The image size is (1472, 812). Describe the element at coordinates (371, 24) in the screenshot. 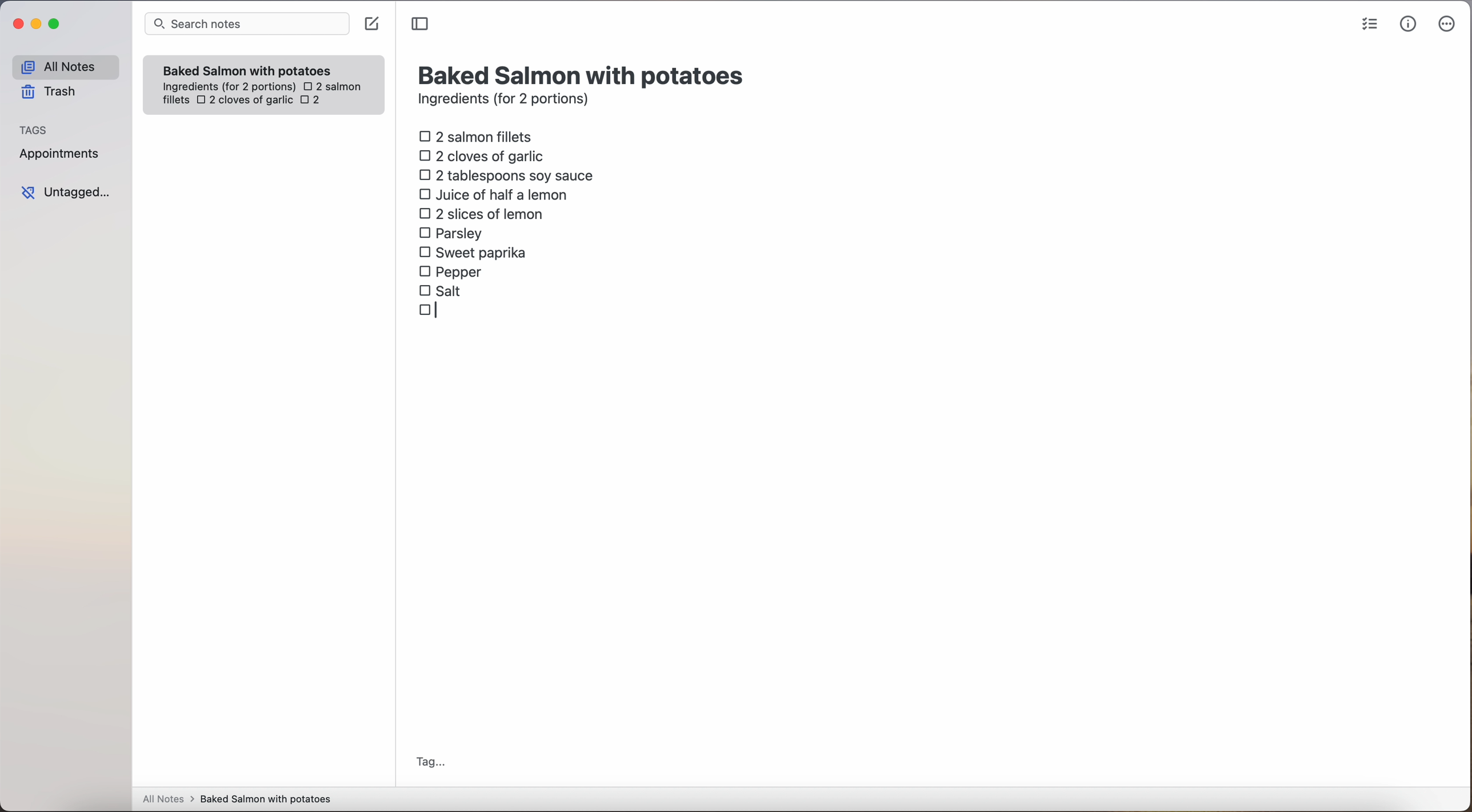

I see `create note` at that location.